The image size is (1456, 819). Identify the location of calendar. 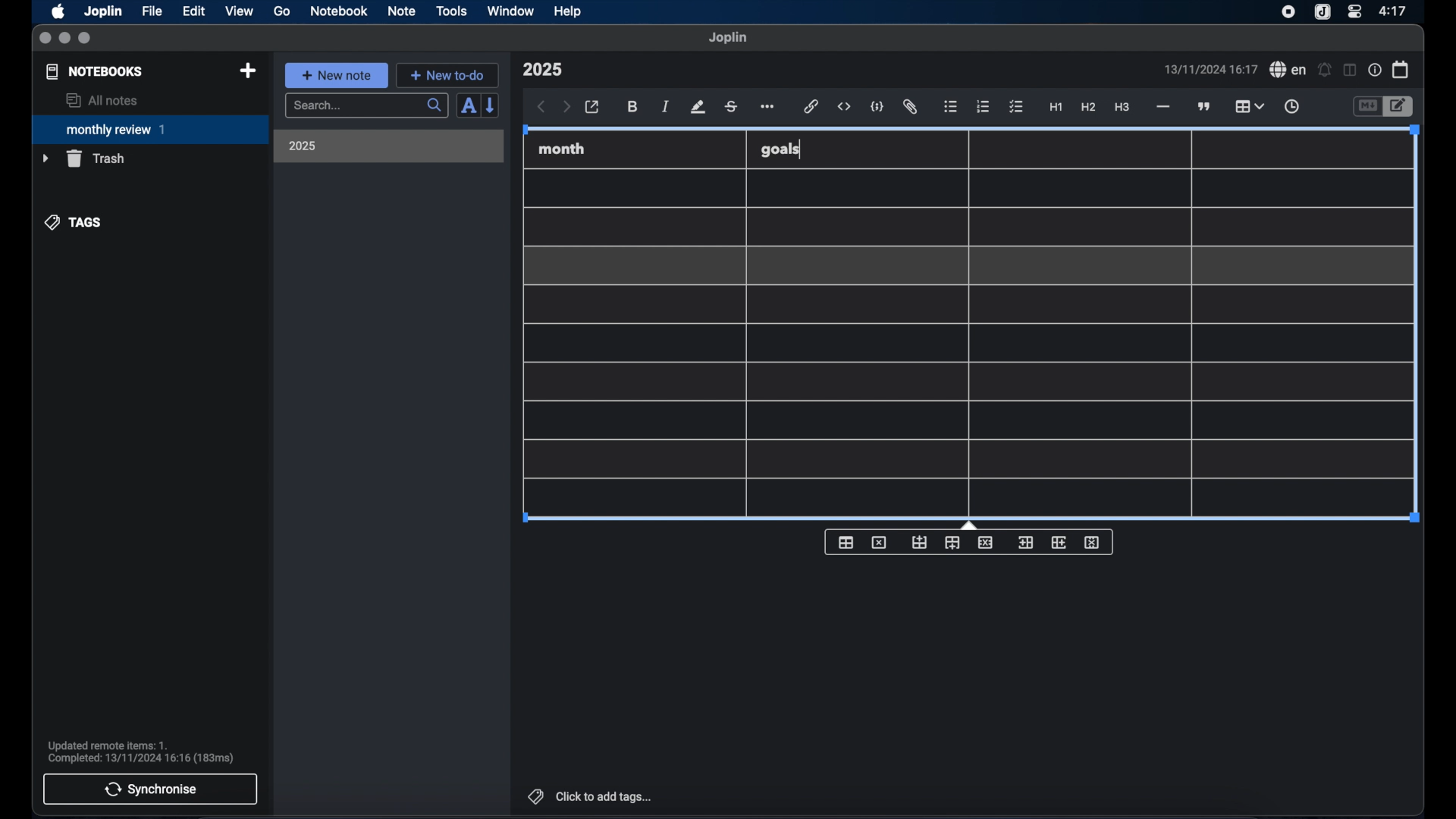
(1401, 69).